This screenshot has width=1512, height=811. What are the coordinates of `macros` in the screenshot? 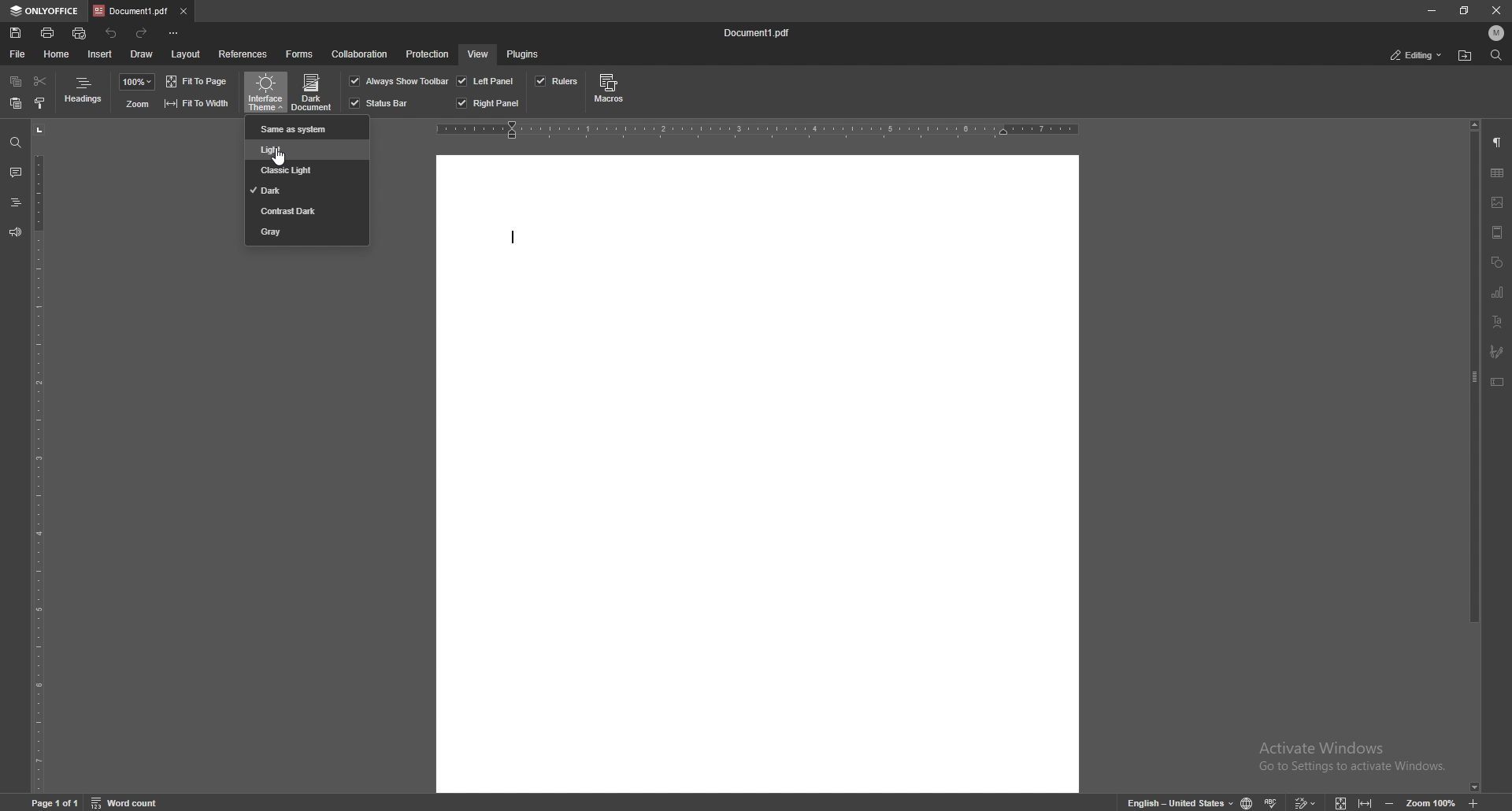 It's located at (611, 90).